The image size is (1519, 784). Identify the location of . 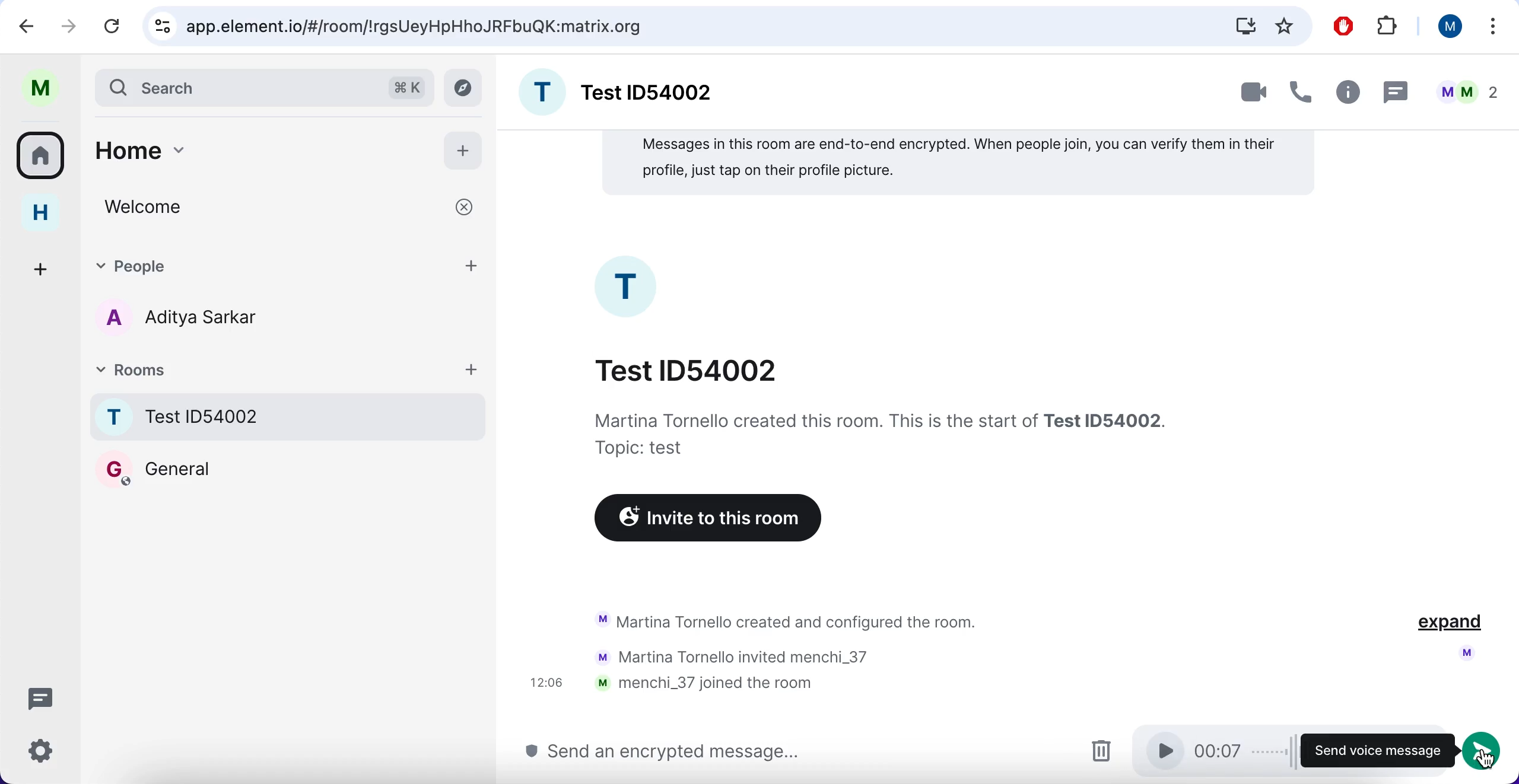
(1486, 749).